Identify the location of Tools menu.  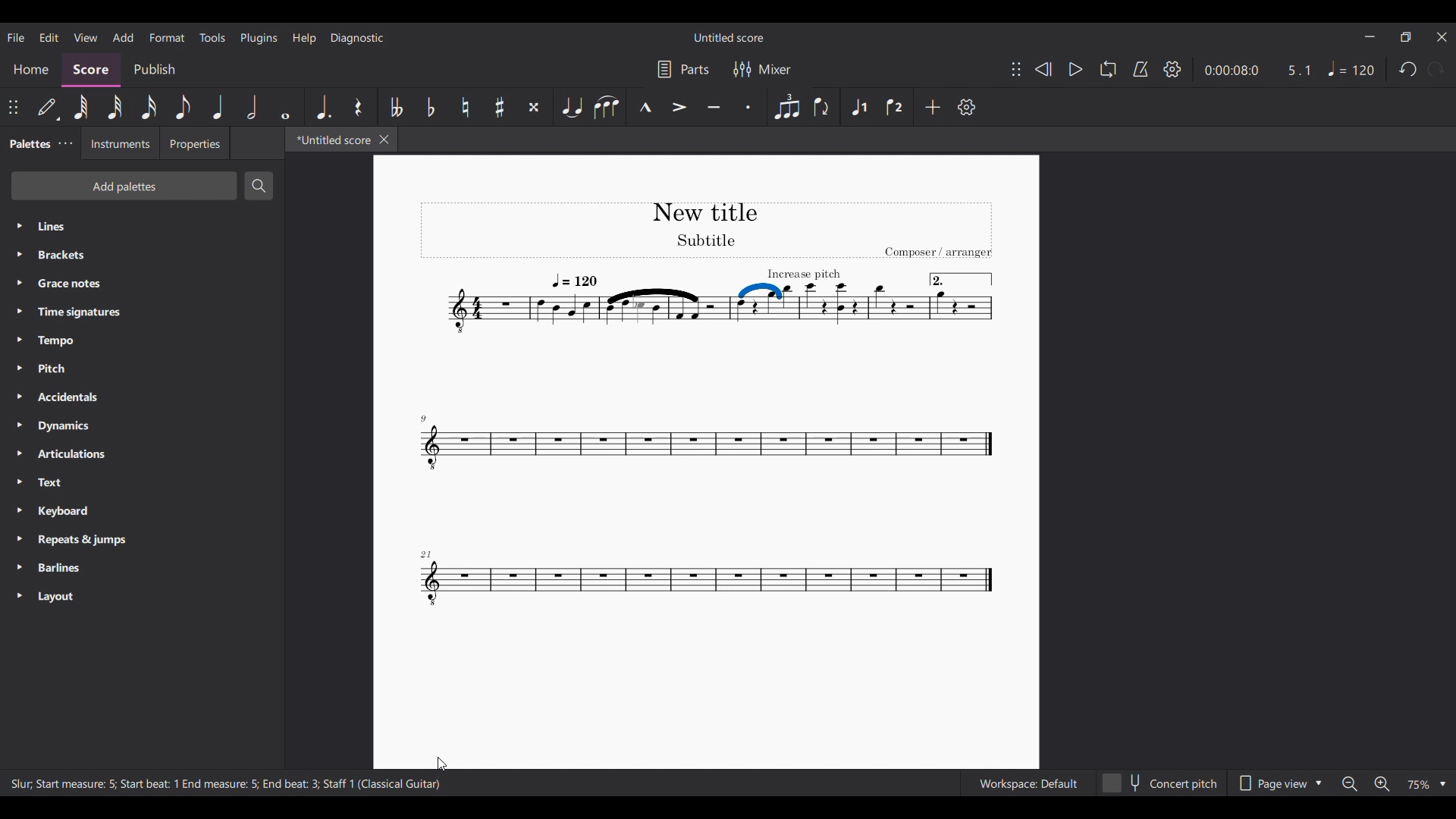
(212, 37).